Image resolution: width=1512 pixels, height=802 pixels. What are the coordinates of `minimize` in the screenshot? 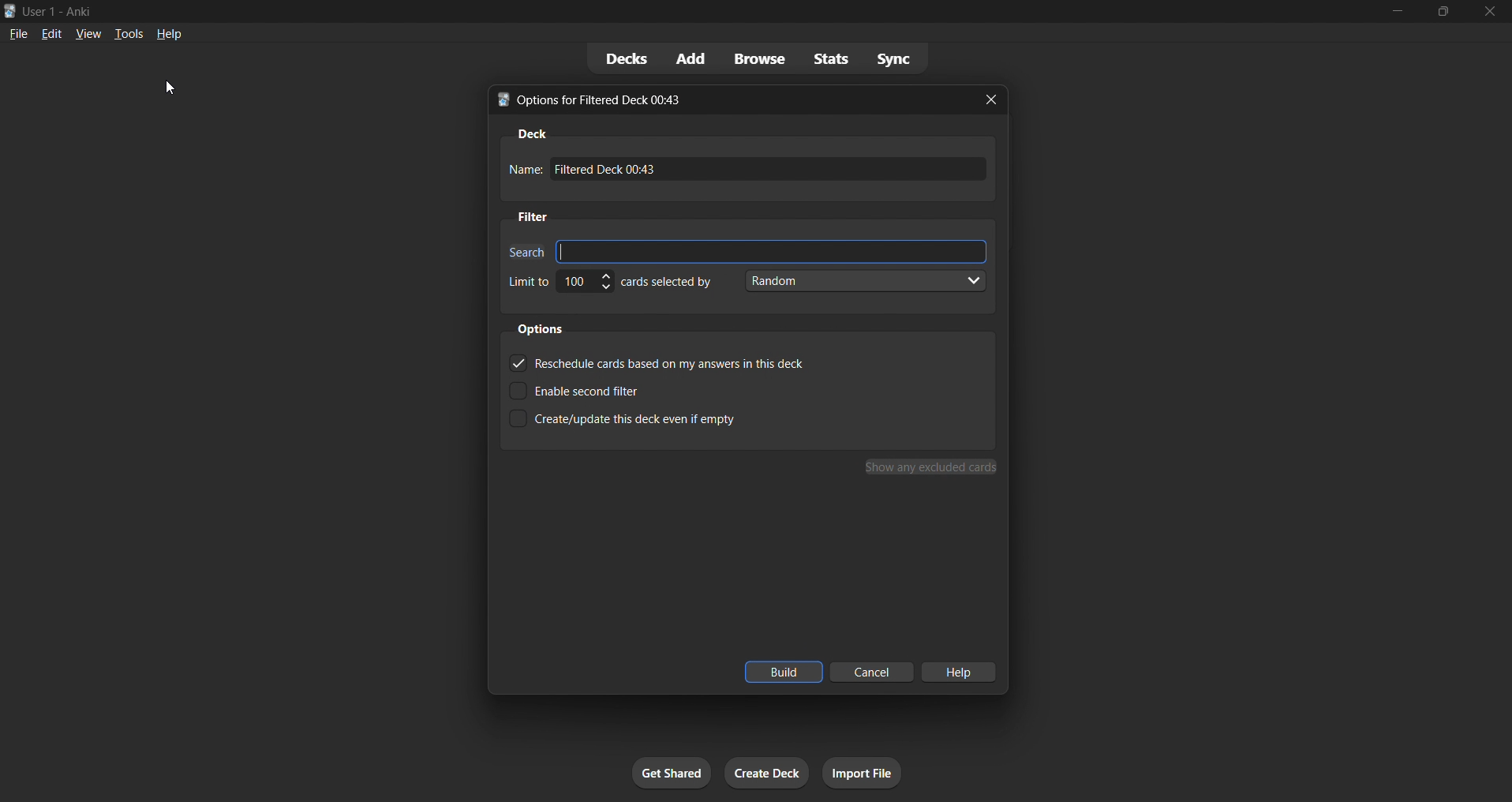 It's located at (1388, 12).